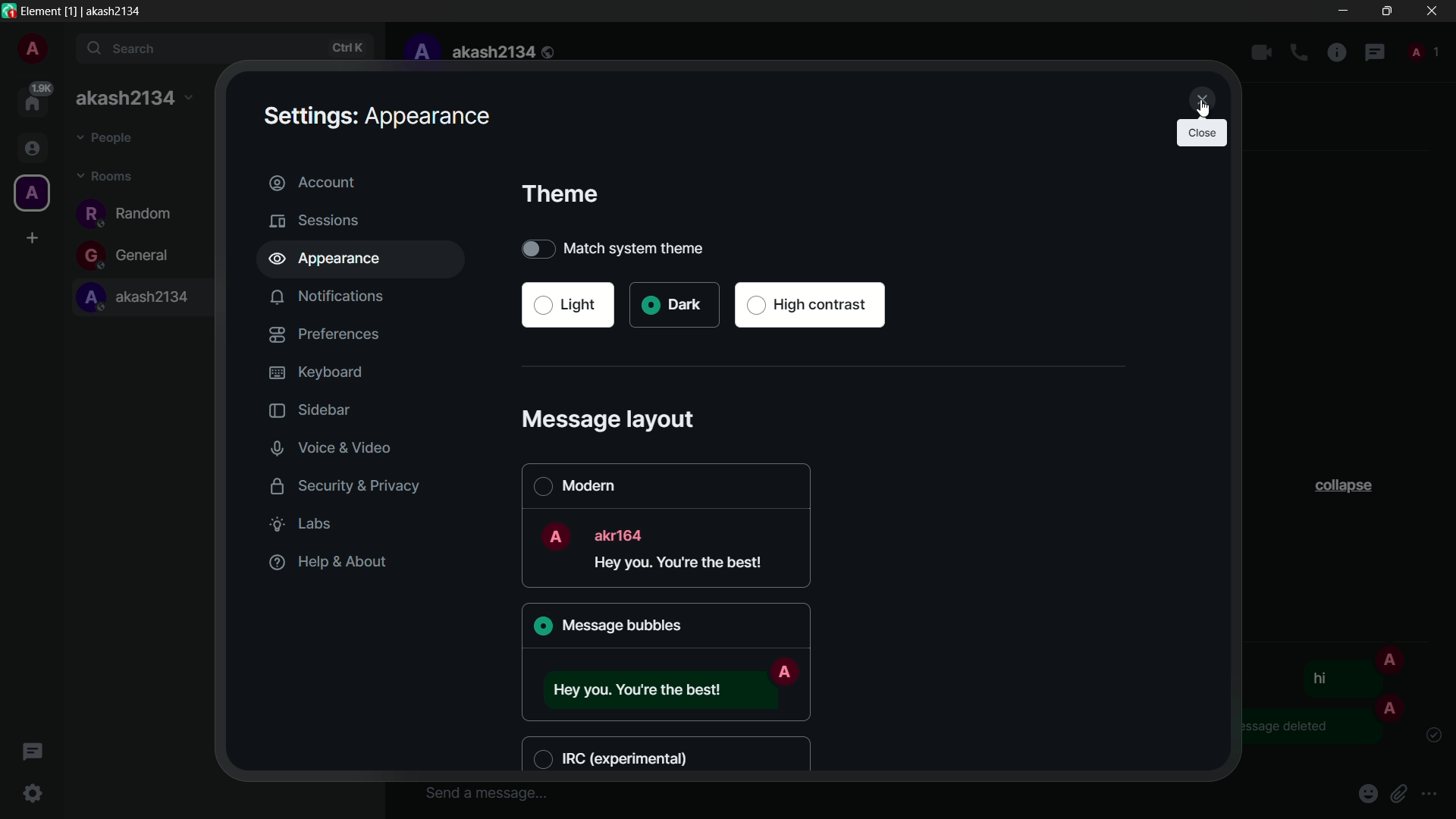 Image resolution: width=1456 pixels, height=819 pixels. What do you see at coordinates (328, 297) in the screenshot?
I see `notifications` at bounding box center [328, 297].